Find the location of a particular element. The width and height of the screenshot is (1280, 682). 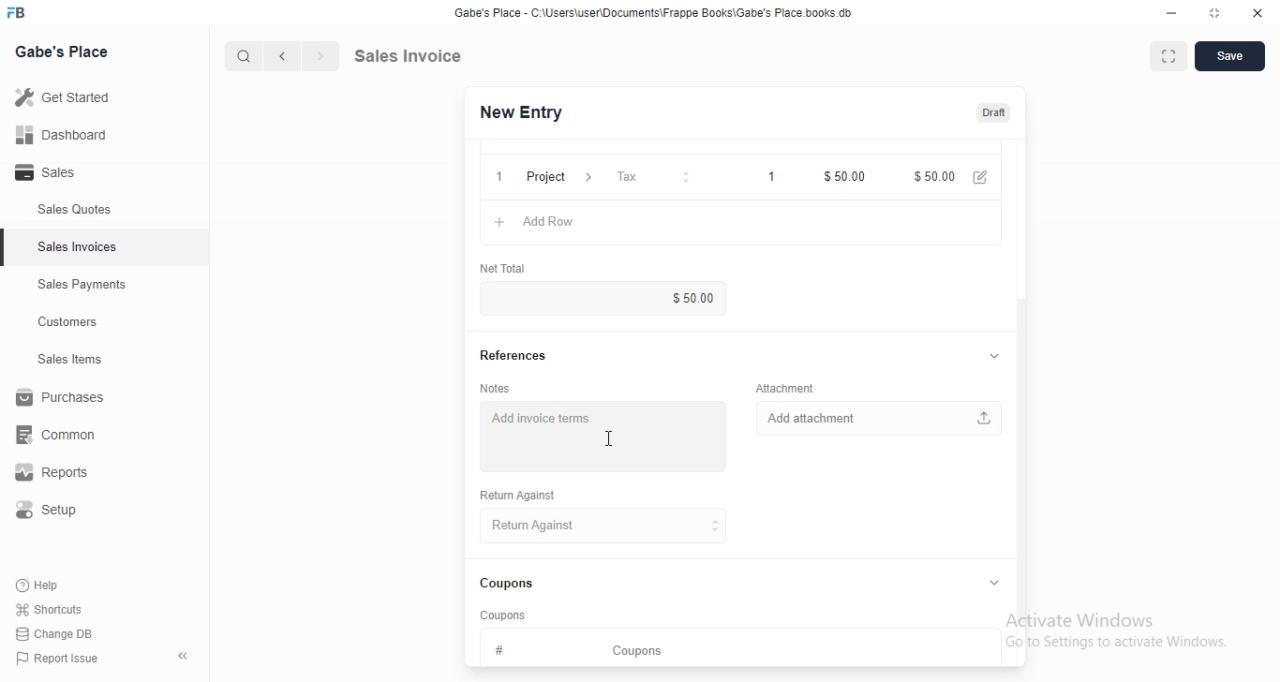

close is located at coordinates (1257, 14).